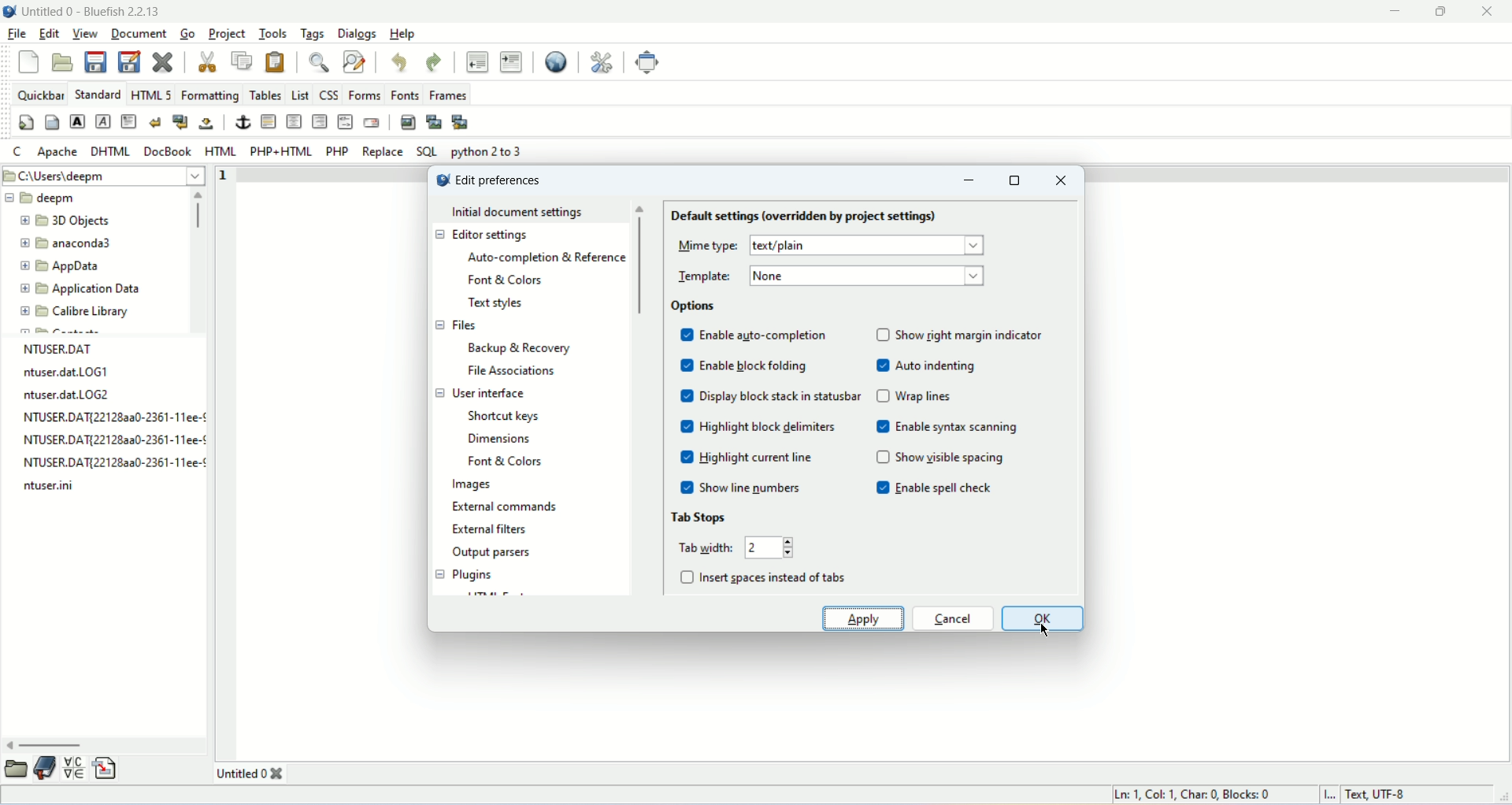  Describe the element at coordinates (44, 770) in the screenshot. I see `bookmark` at that location.